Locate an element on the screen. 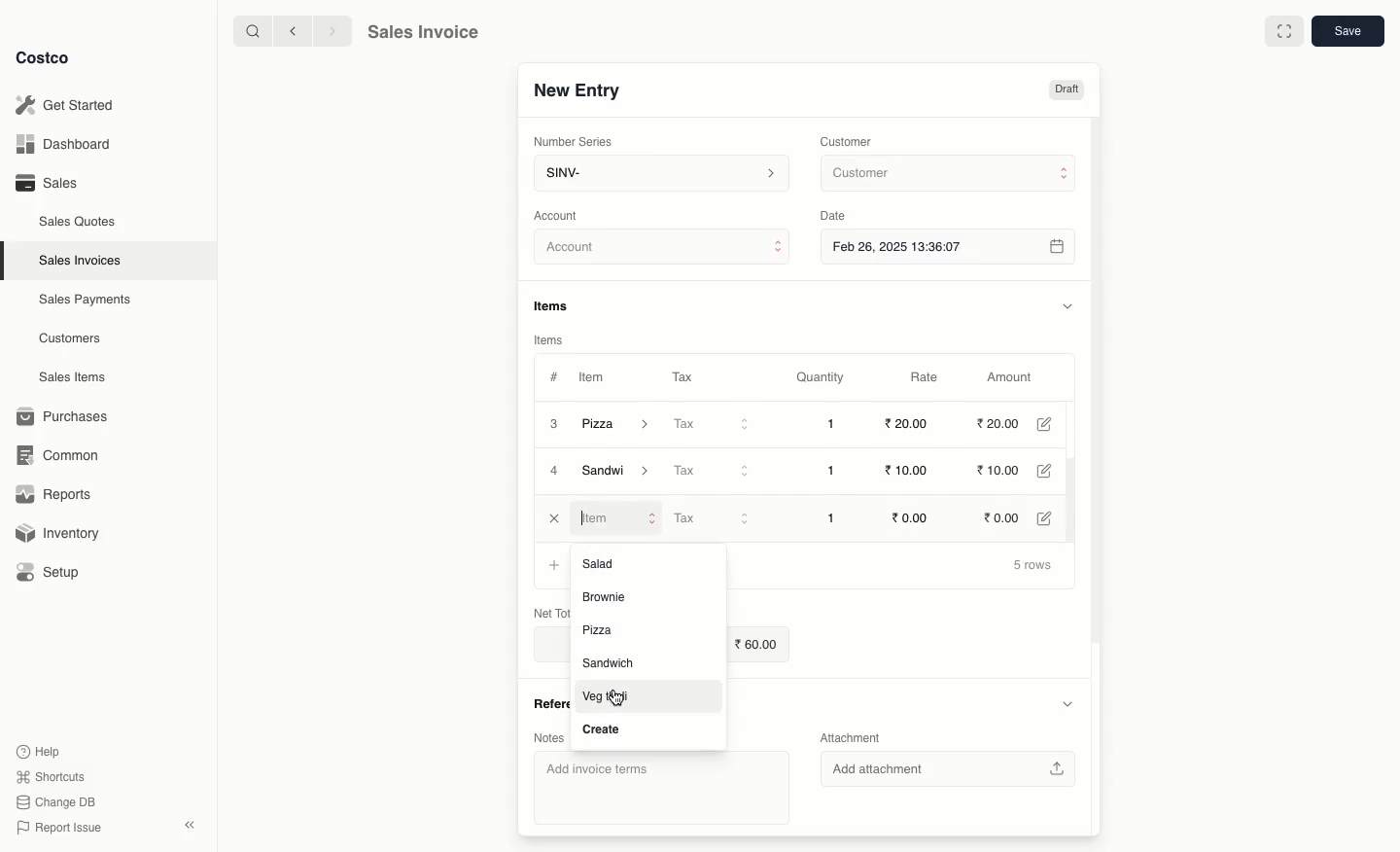 This screenshot has width=1400, height=852. Search is located at coordinates (250, 30).